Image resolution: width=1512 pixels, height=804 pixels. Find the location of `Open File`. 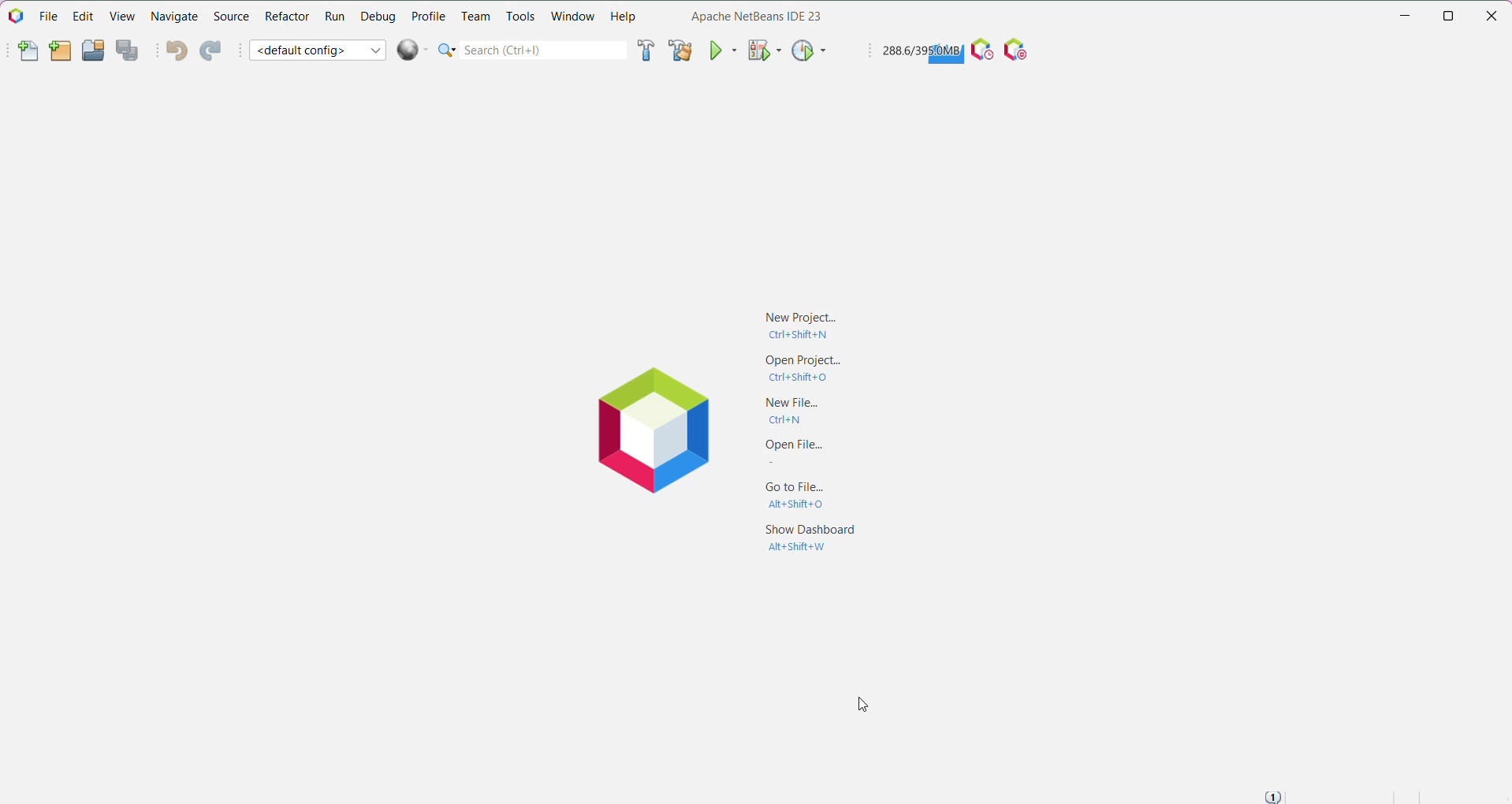

Open File is located at coordinates (788, 453).